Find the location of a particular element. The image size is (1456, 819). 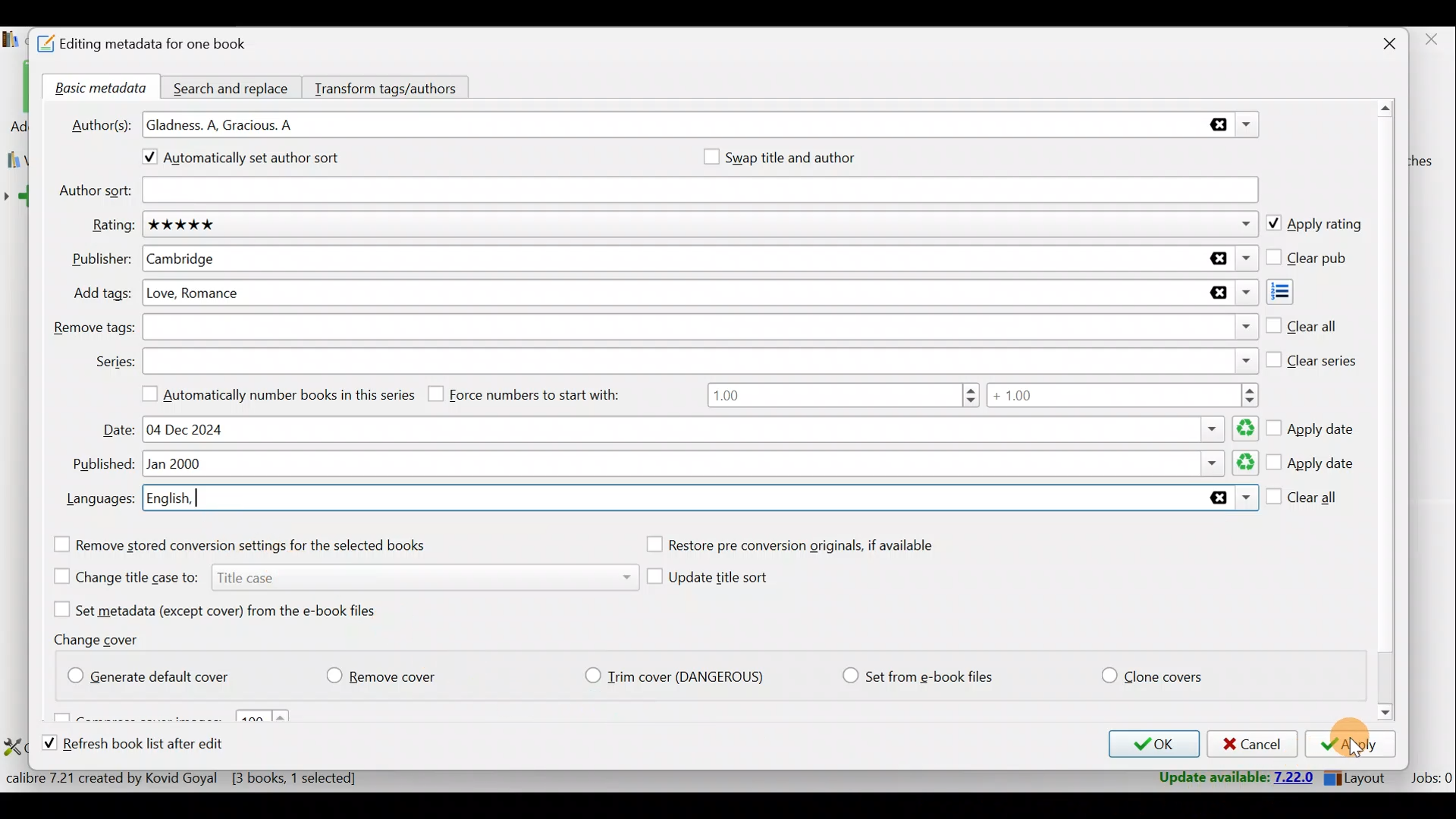

Apply date is located at coordinates (1311, 464).